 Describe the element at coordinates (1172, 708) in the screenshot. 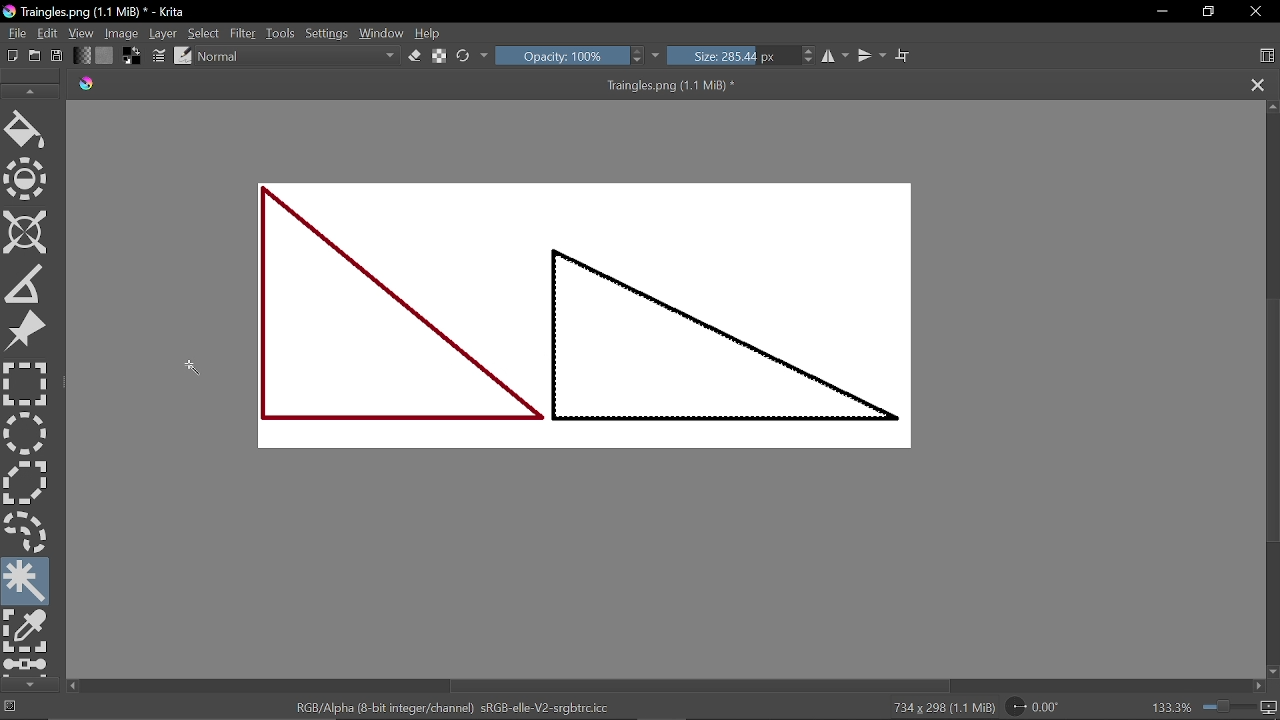

I see `133.3%` at that location.